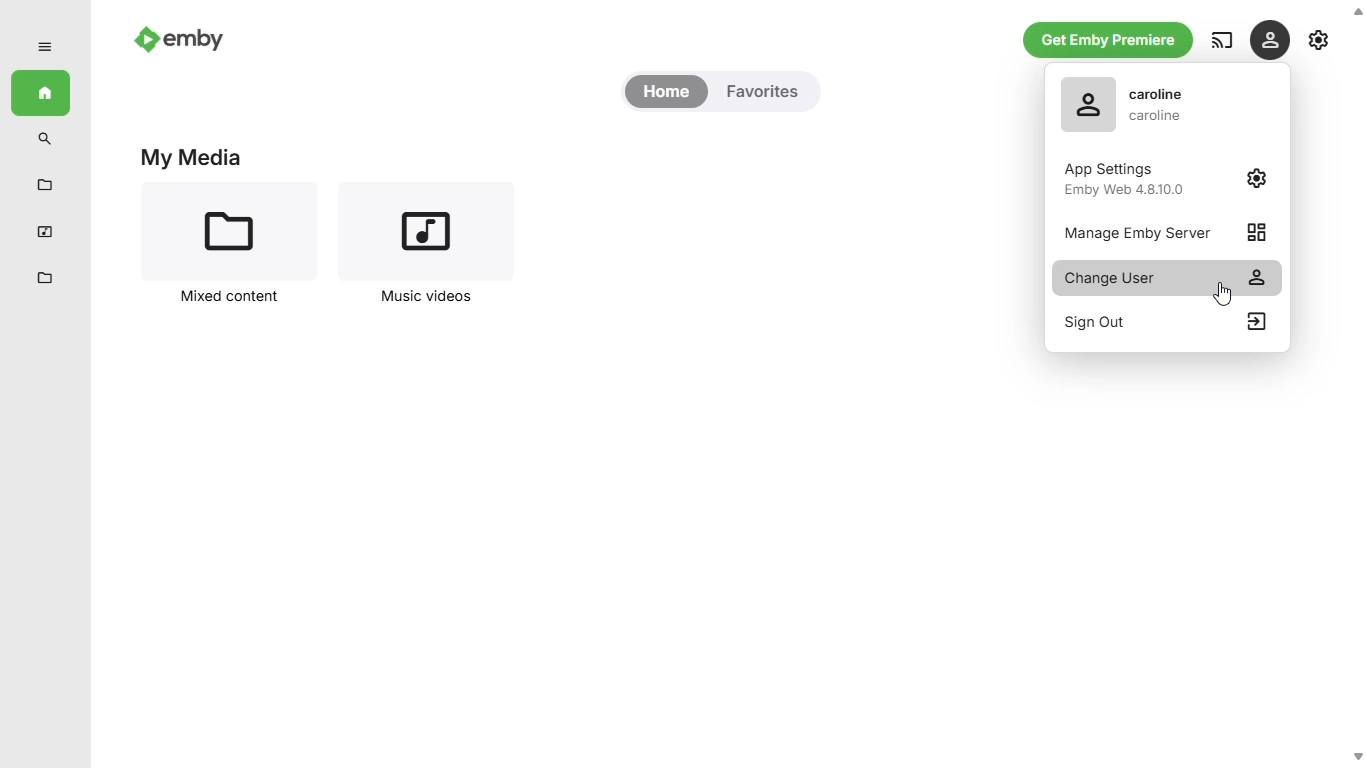 The height and width of the screenshot is (768, 1366). Describe the element at coordinates (44, 185) in the screenshot. I see `mixed content` at that location.